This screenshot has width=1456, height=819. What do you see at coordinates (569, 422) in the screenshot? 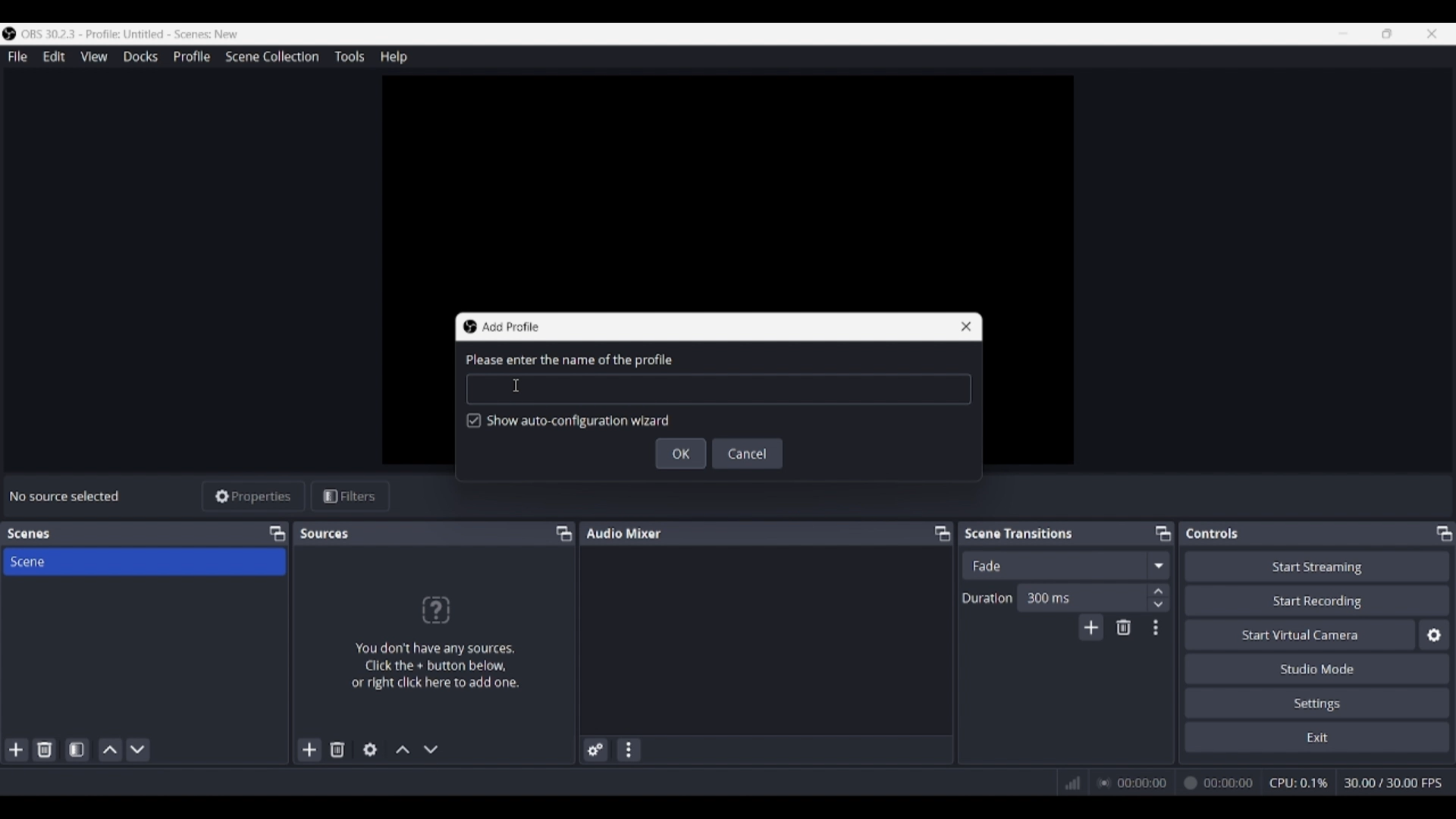
I see `Toggle for Show auto-configuration wizard` at bounding box center [569, 422].